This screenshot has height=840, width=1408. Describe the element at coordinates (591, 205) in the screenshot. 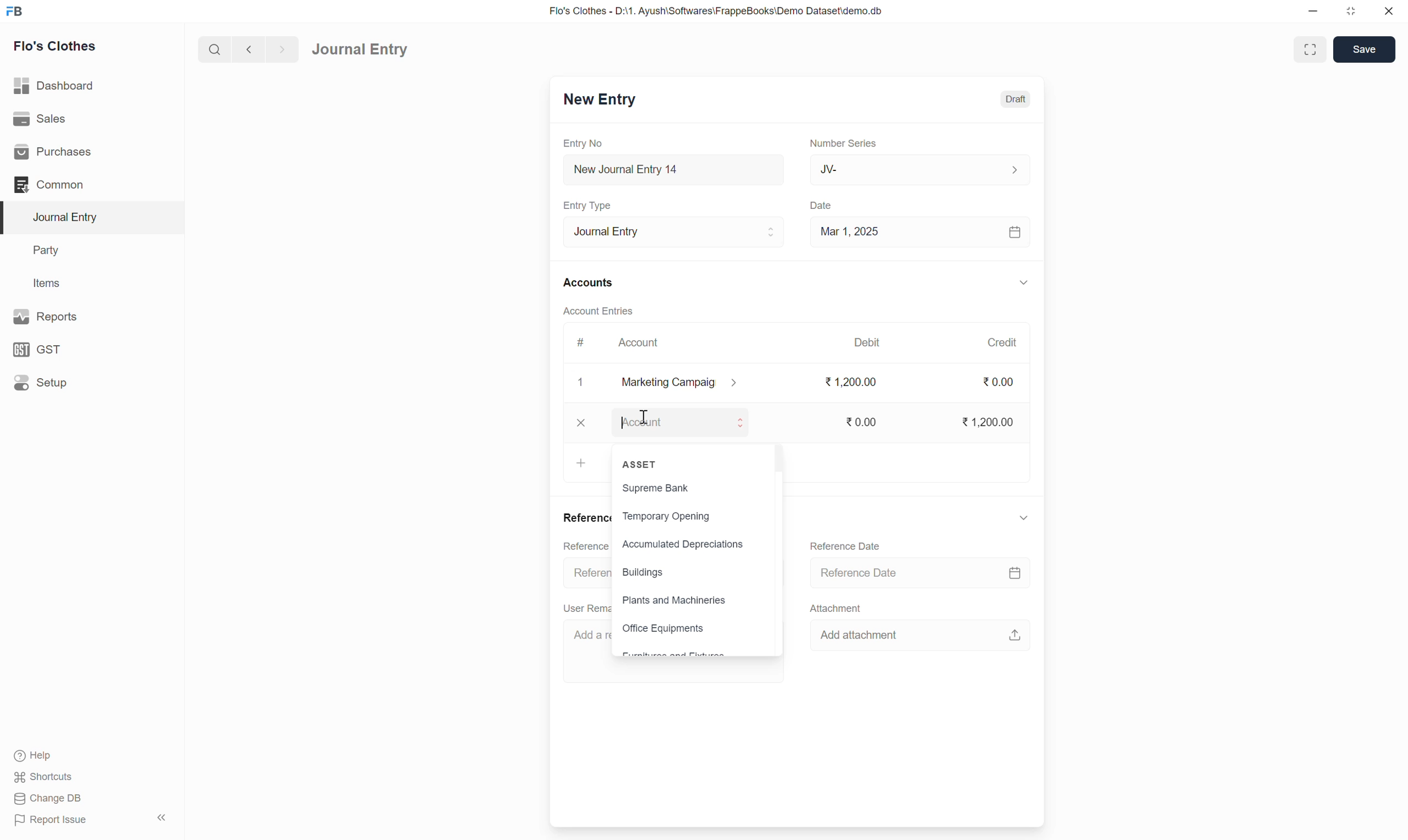

I see `Entry Type` at that location.